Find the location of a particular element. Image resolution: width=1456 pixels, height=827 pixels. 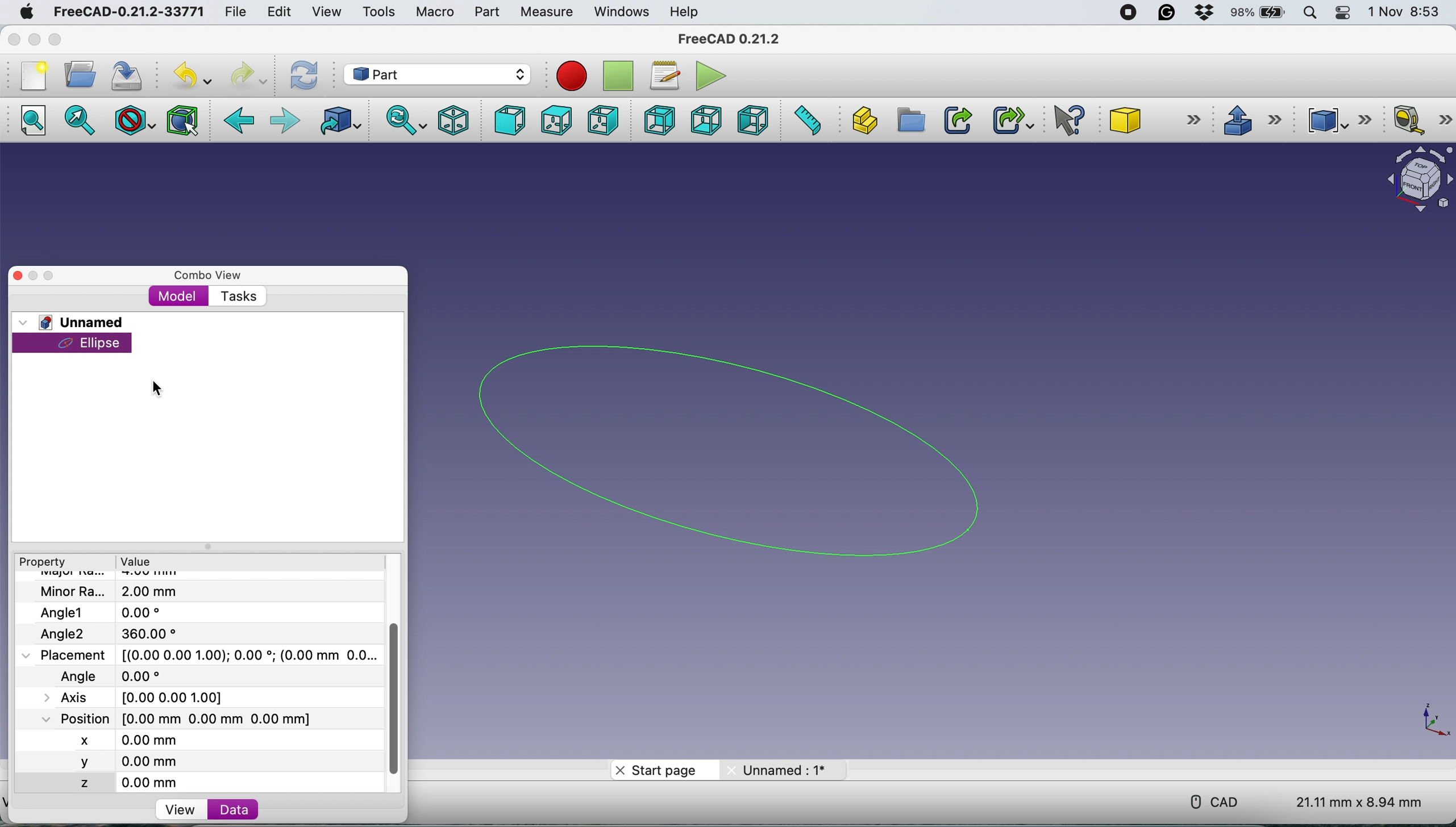

windows is located at coordinates (618, 11).